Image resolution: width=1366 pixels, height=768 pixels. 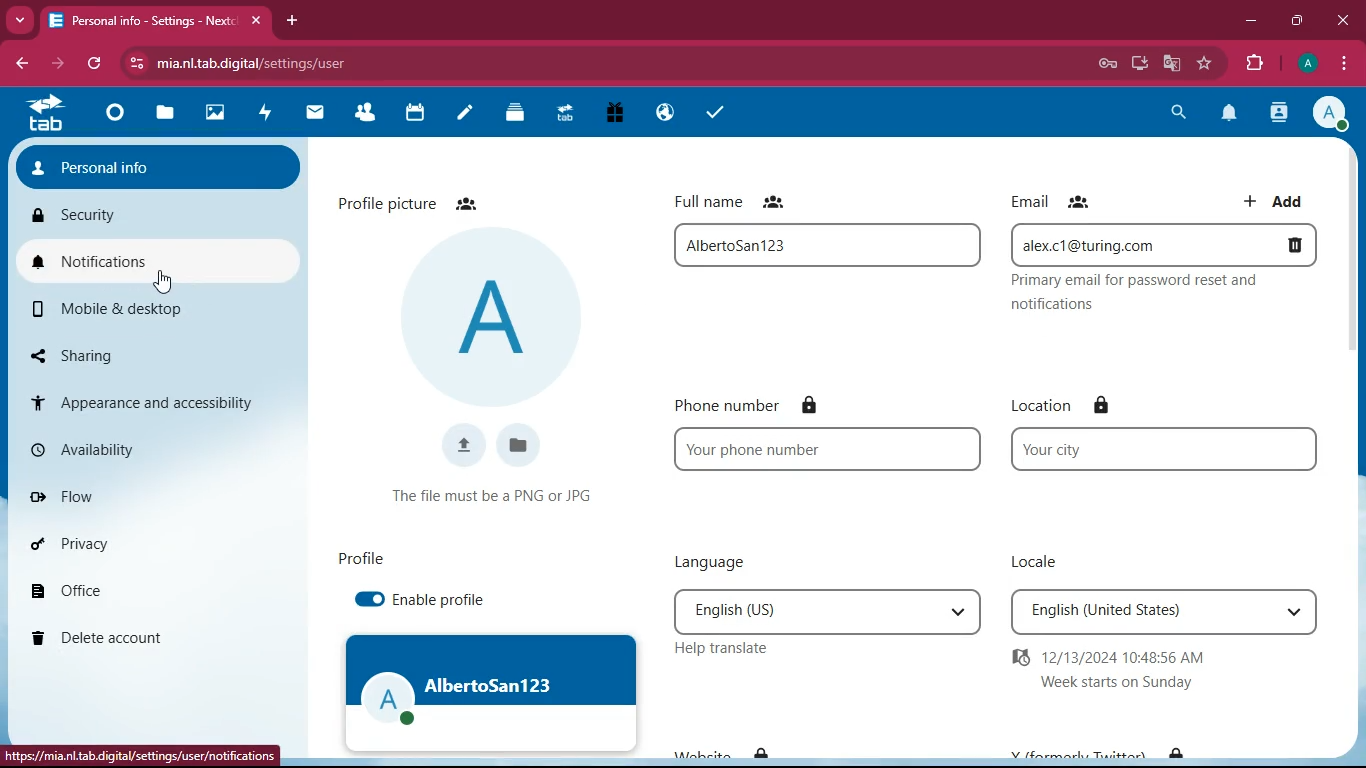 What do you see at coordinates (216, 114) in the screenshot?
I see `images` at bounding box center [216, 114].